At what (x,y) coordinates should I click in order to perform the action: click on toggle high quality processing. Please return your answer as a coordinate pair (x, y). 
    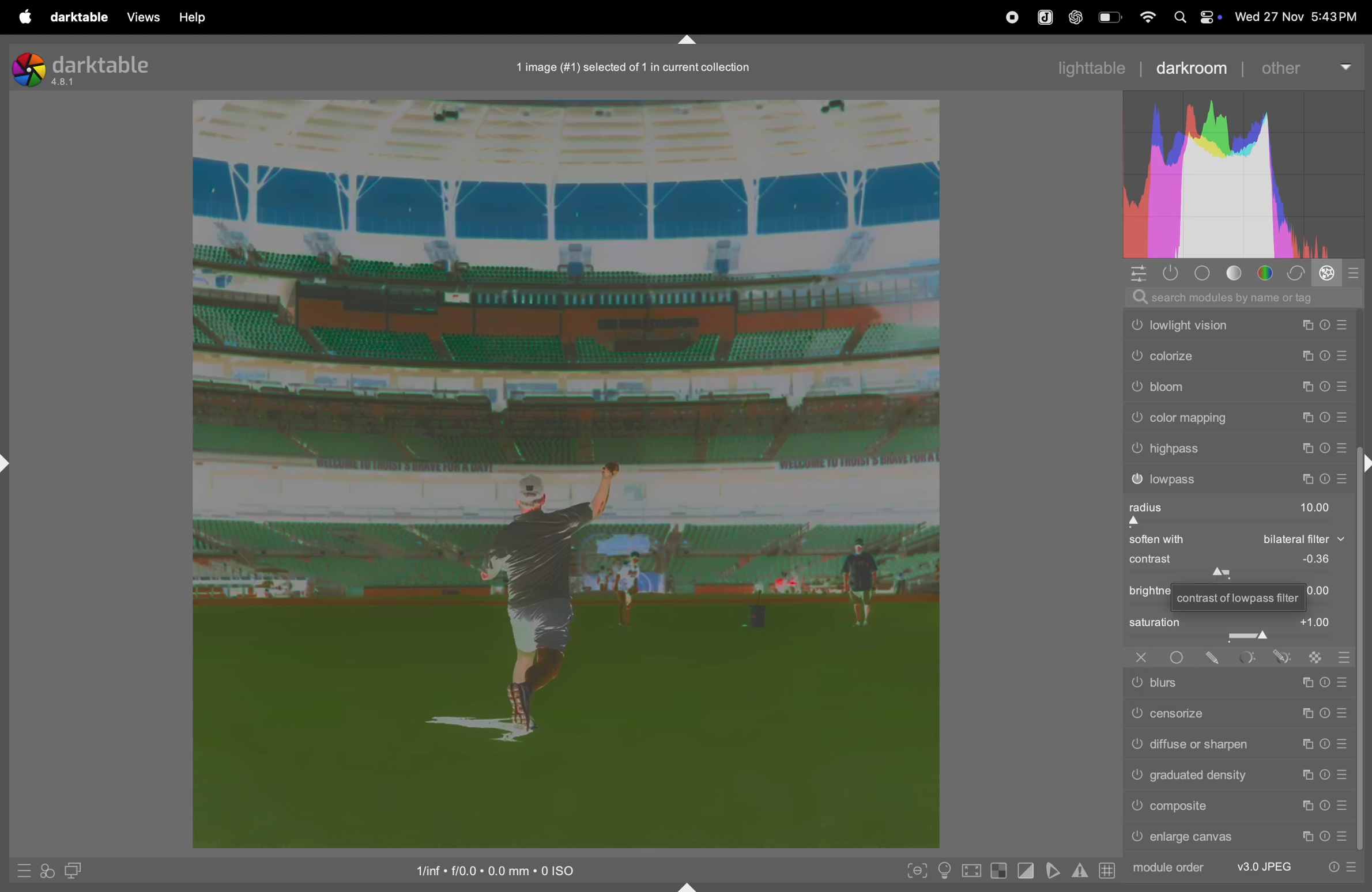
    Looking at the image, I should click on (974, 870).